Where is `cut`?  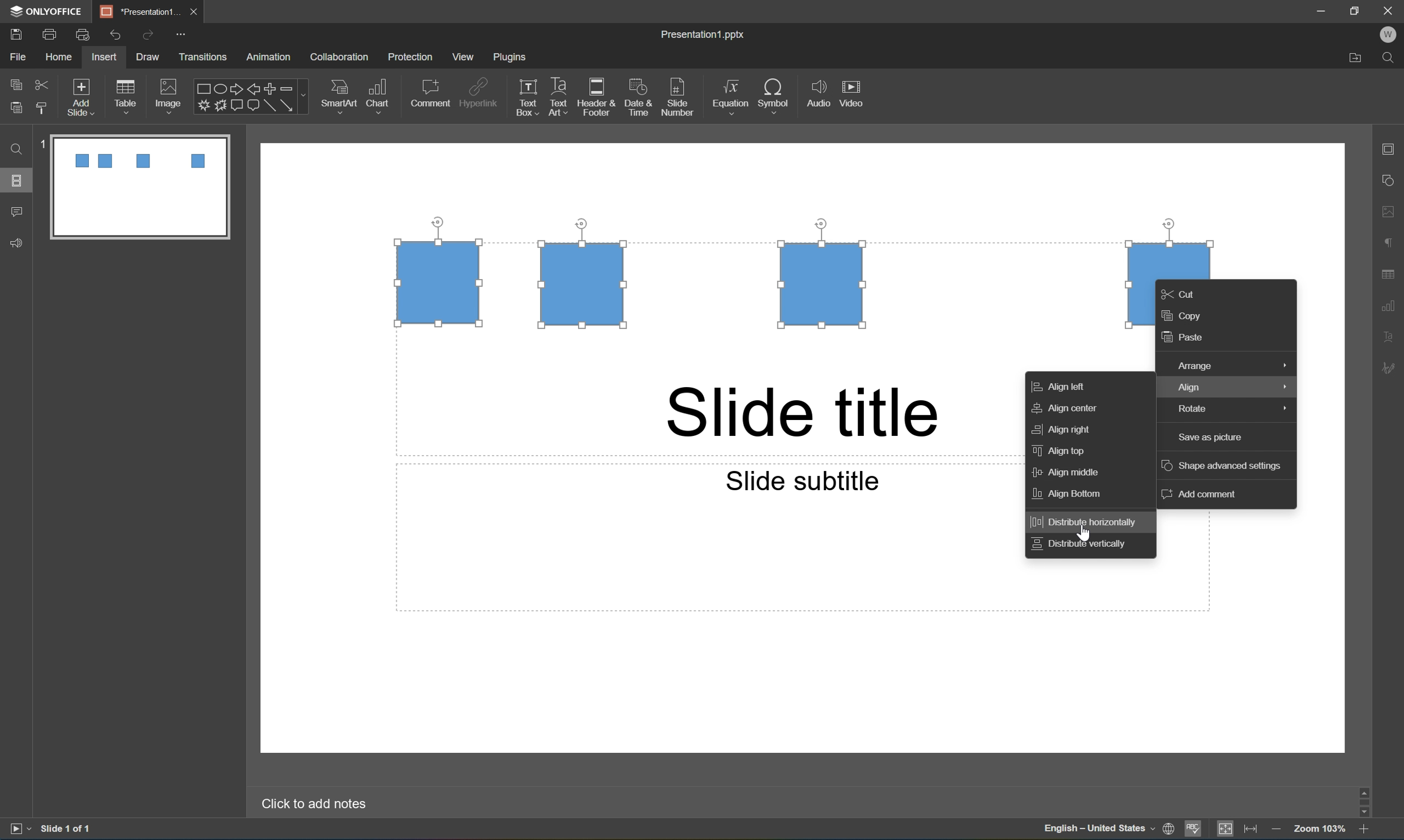 cut is located at coordinates (41, 83).